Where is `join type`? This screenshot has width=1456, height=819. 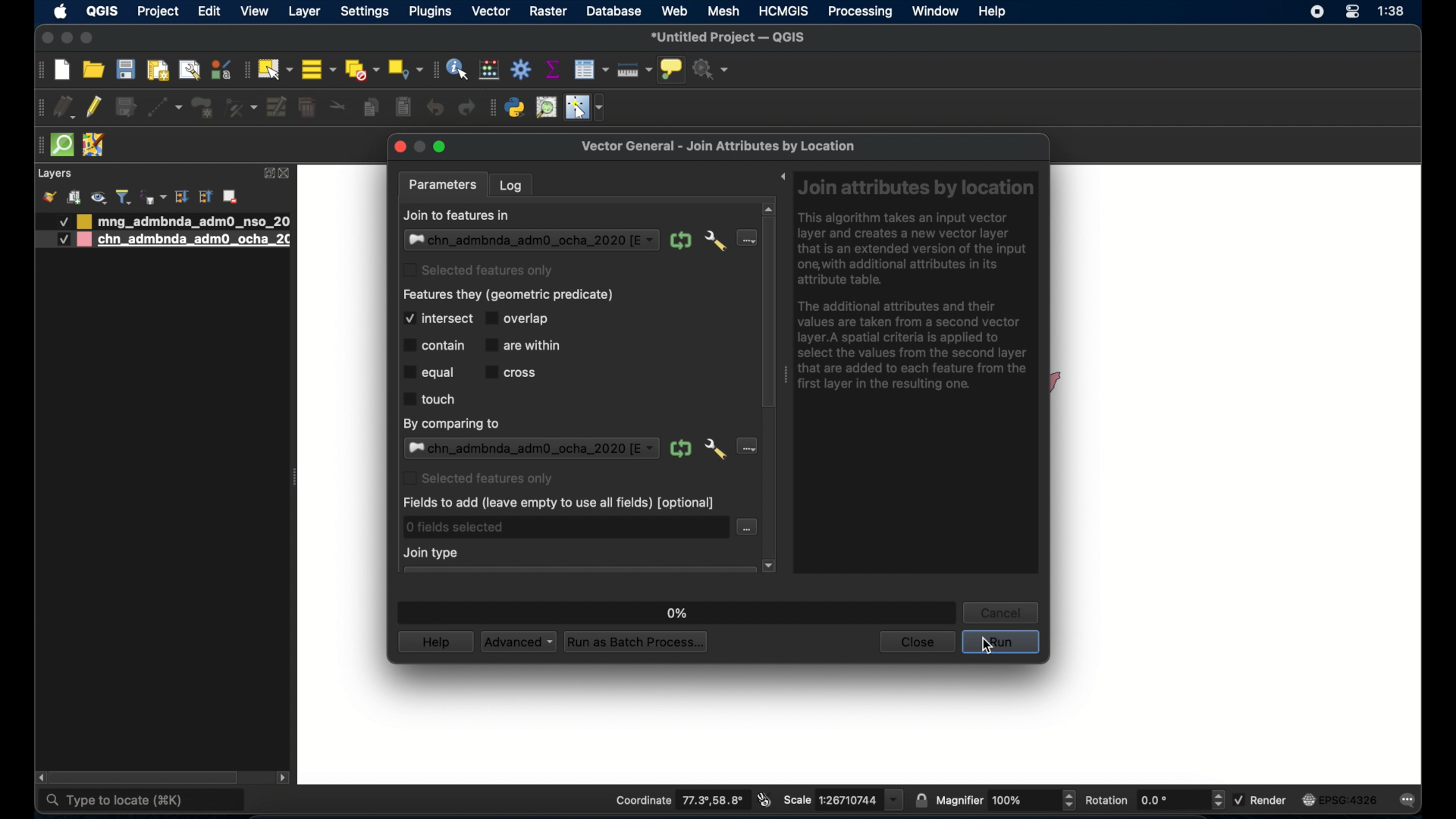 join type is located at coordinates (433, 553).